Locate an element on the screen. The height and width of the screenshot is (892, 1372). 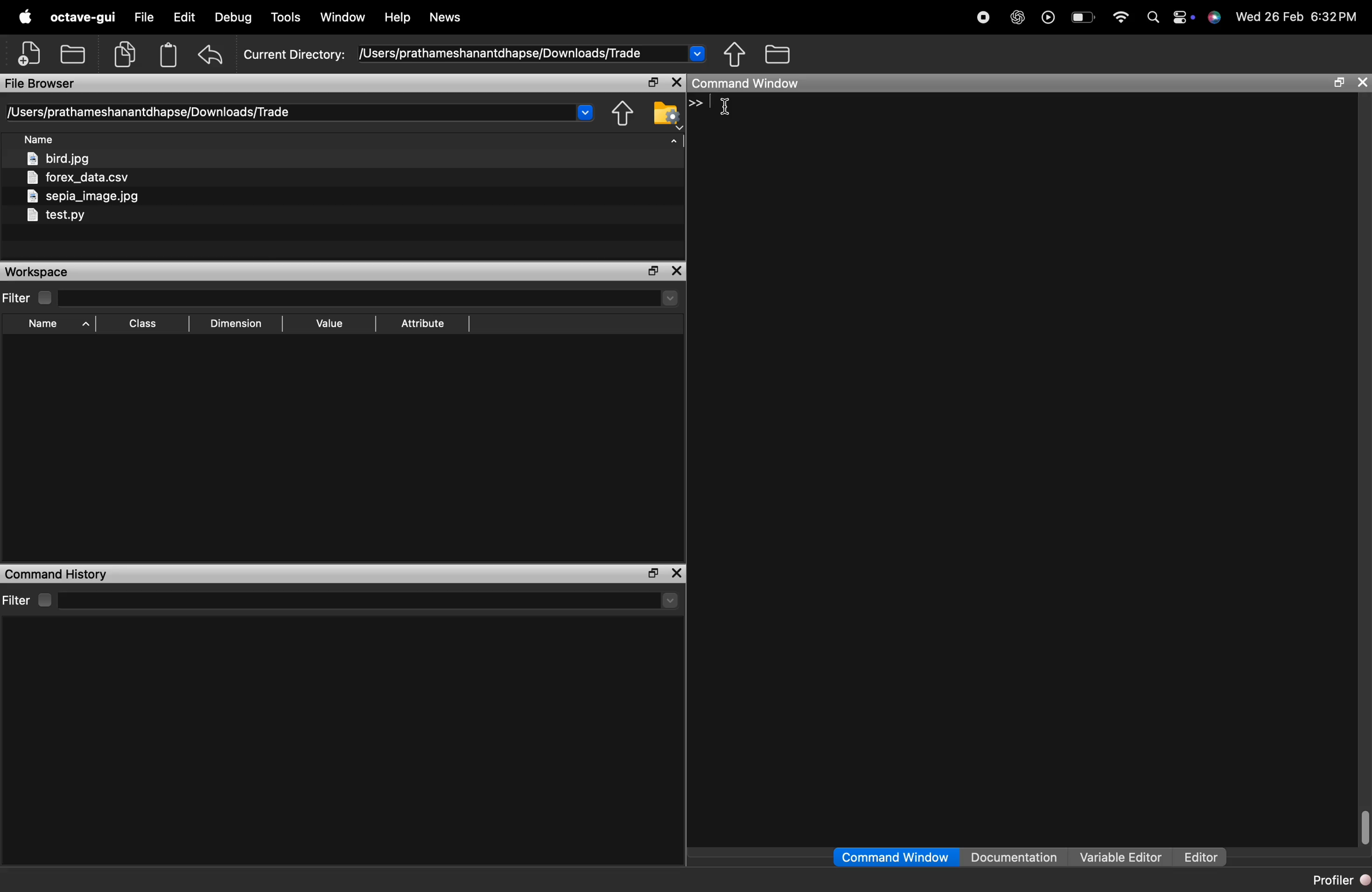
filter is located at coordinates (32, 298).